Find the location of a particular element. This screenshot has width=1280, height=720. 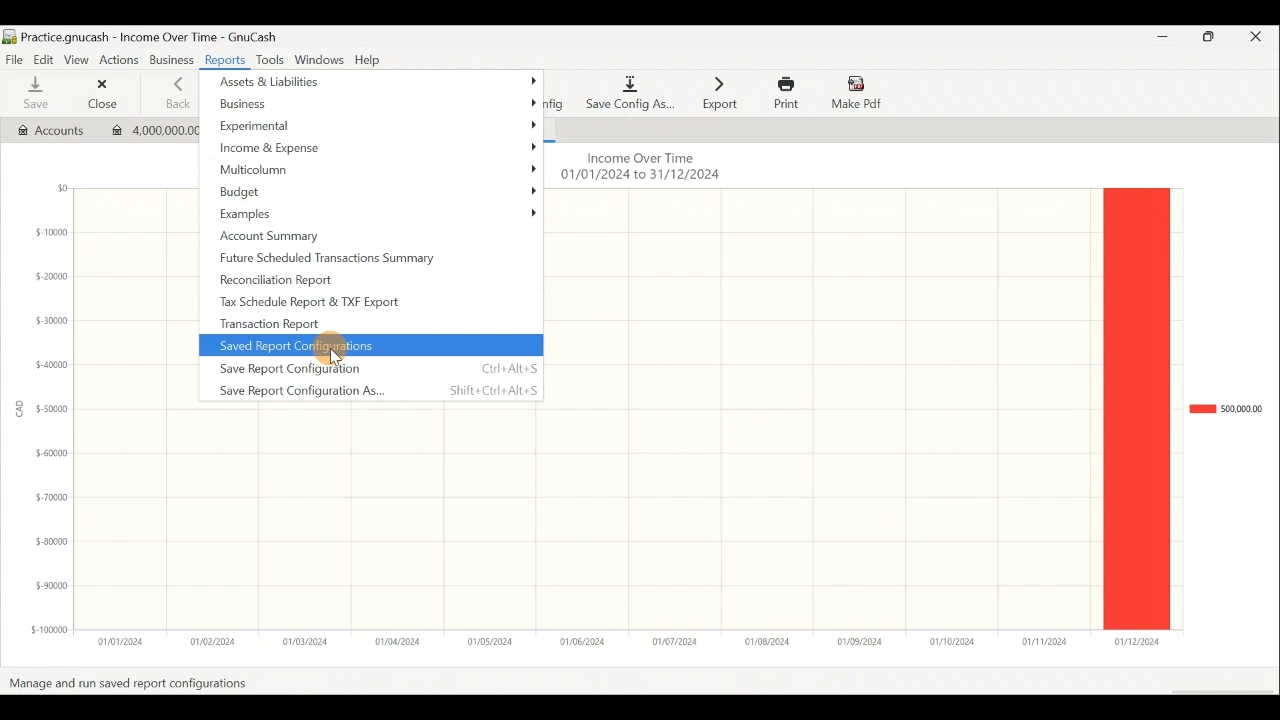

View is located at coordinates (75, 58).